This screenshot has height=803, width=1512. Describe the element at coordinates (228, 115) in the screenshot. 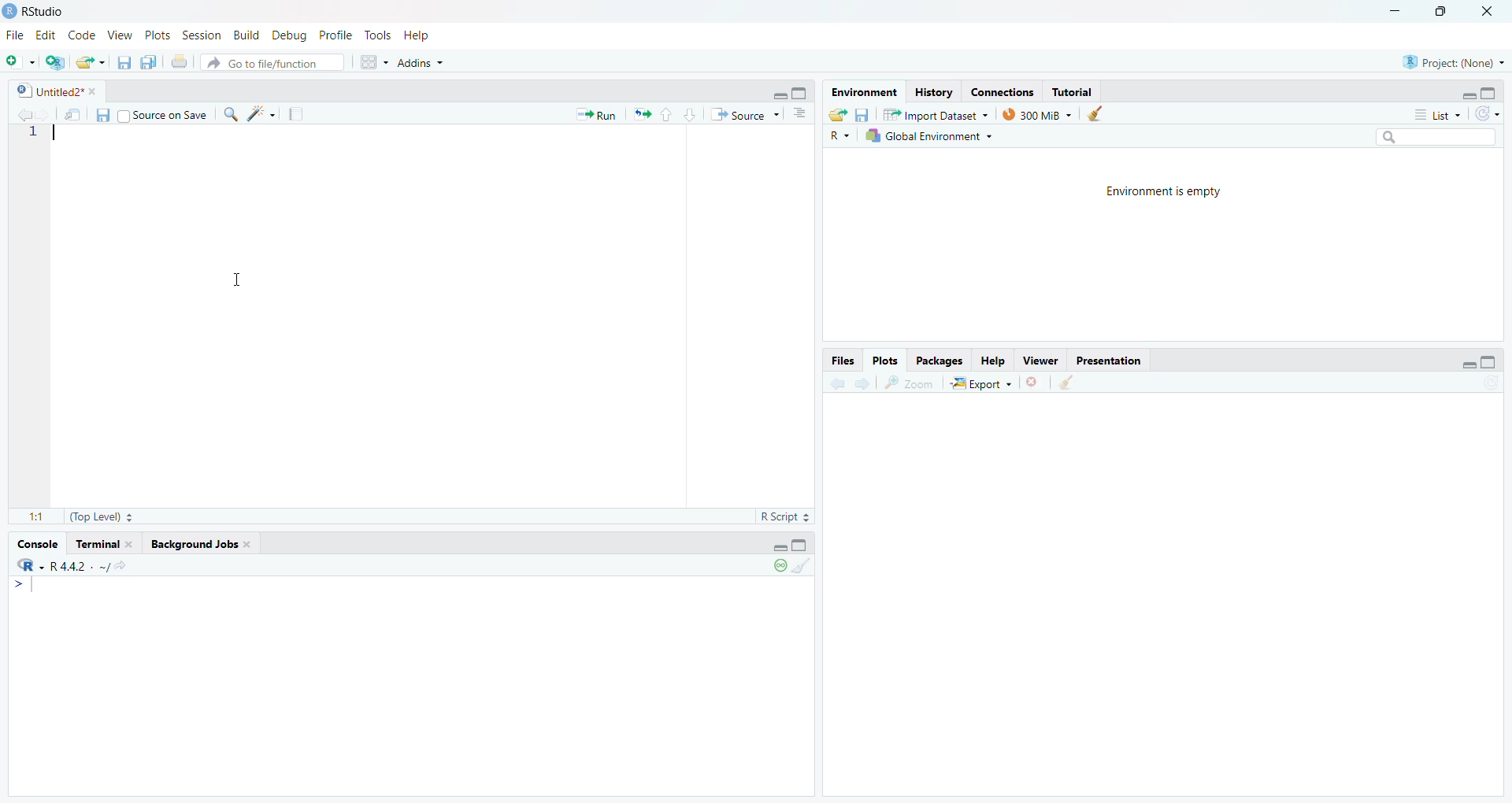

I see `find/replace` at that location.